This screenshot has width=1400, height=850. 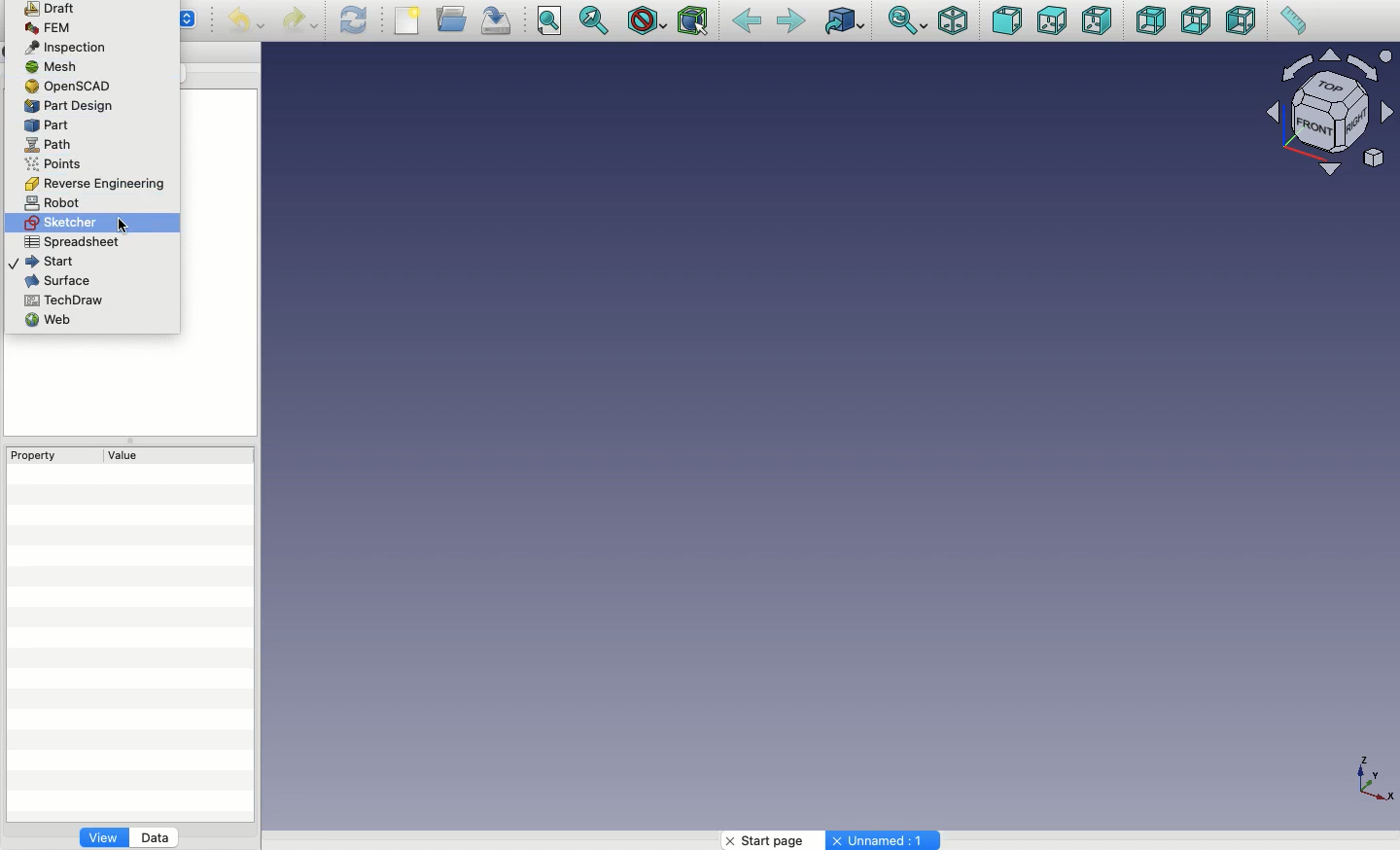 I want to click on Redo, so click(x=301, y=20).